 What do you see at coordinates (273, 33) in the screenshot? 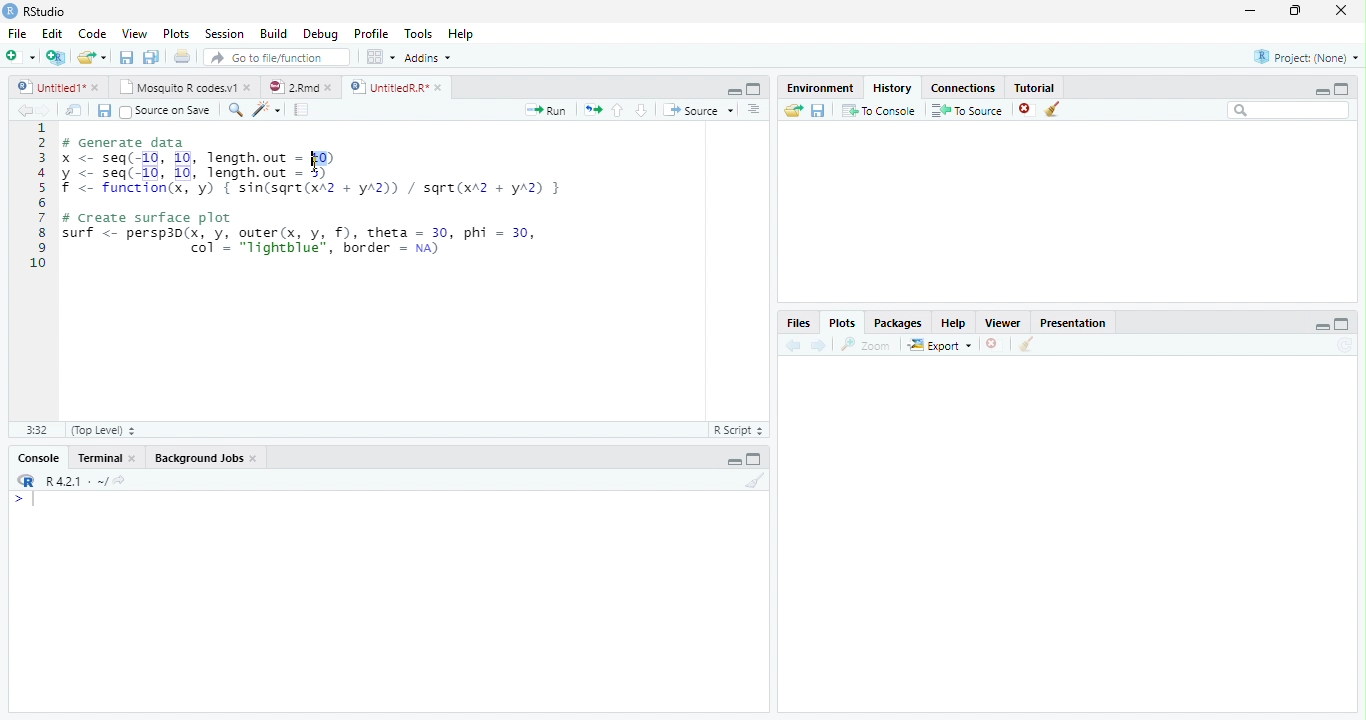
I see `Build` at bounding box center [273, 33].